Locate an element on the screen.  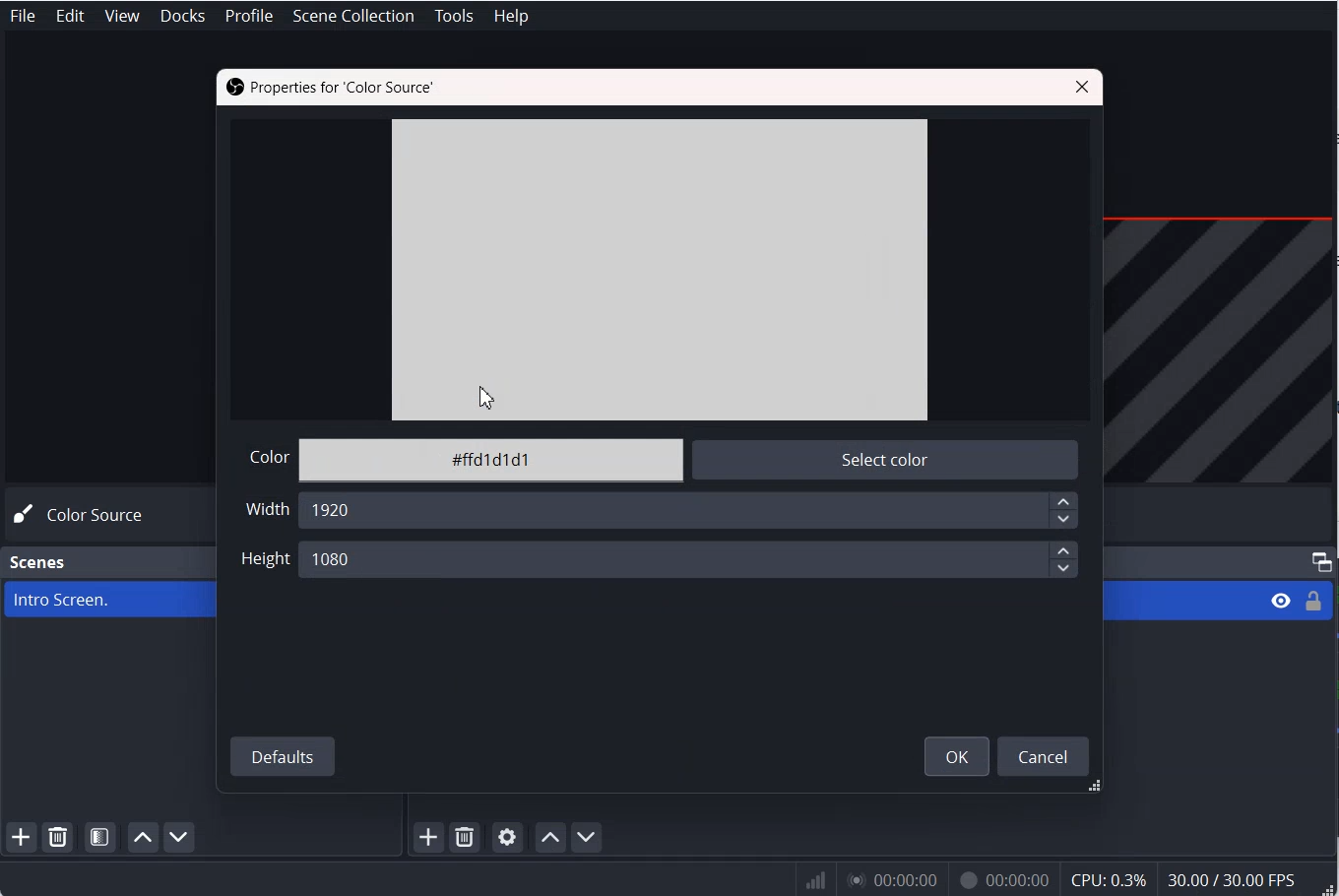
File is located at coordinates (22, 16).